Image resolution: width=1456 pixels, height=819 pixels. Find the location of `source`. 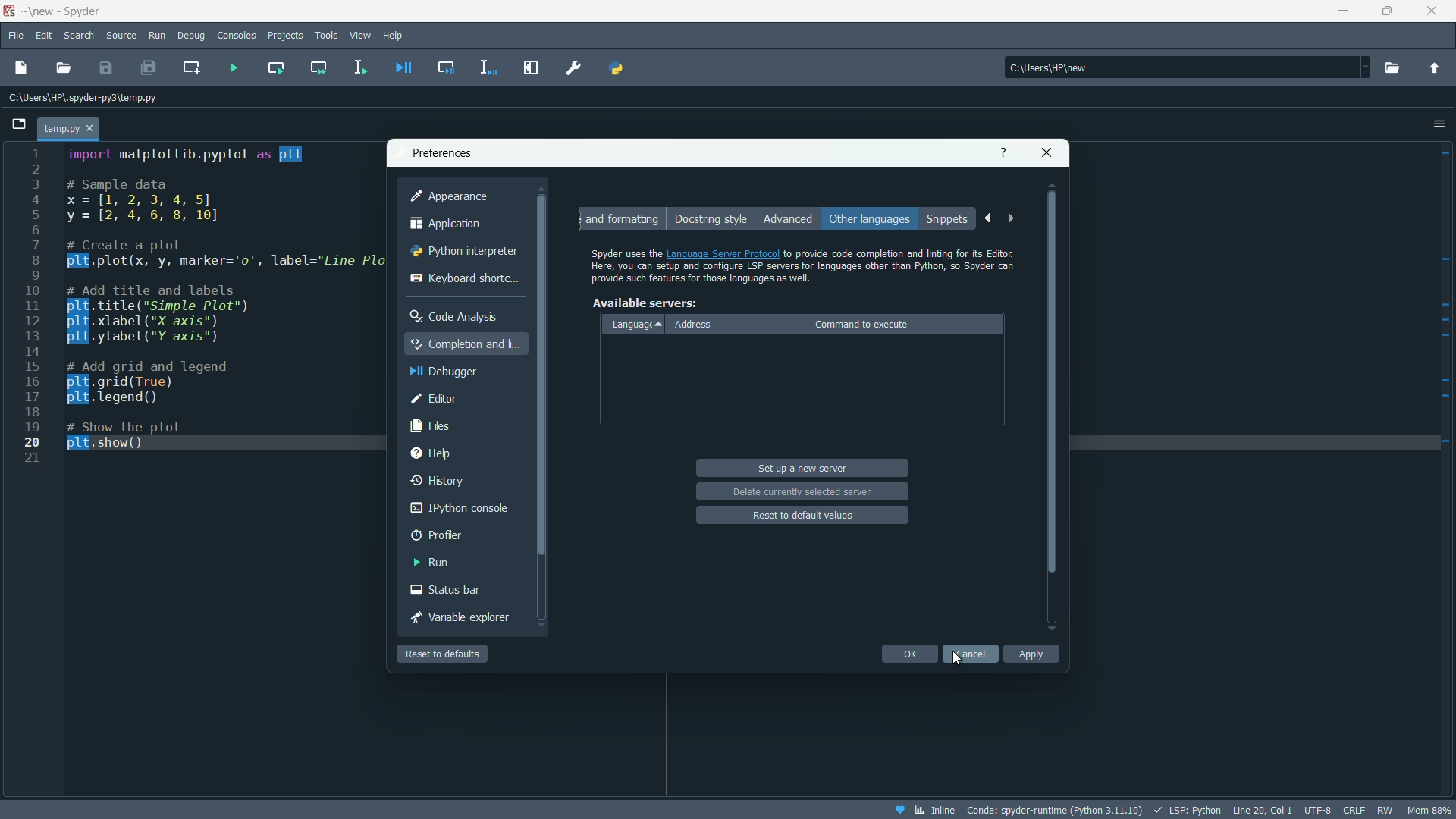

source is located at coordinates (121, 36).